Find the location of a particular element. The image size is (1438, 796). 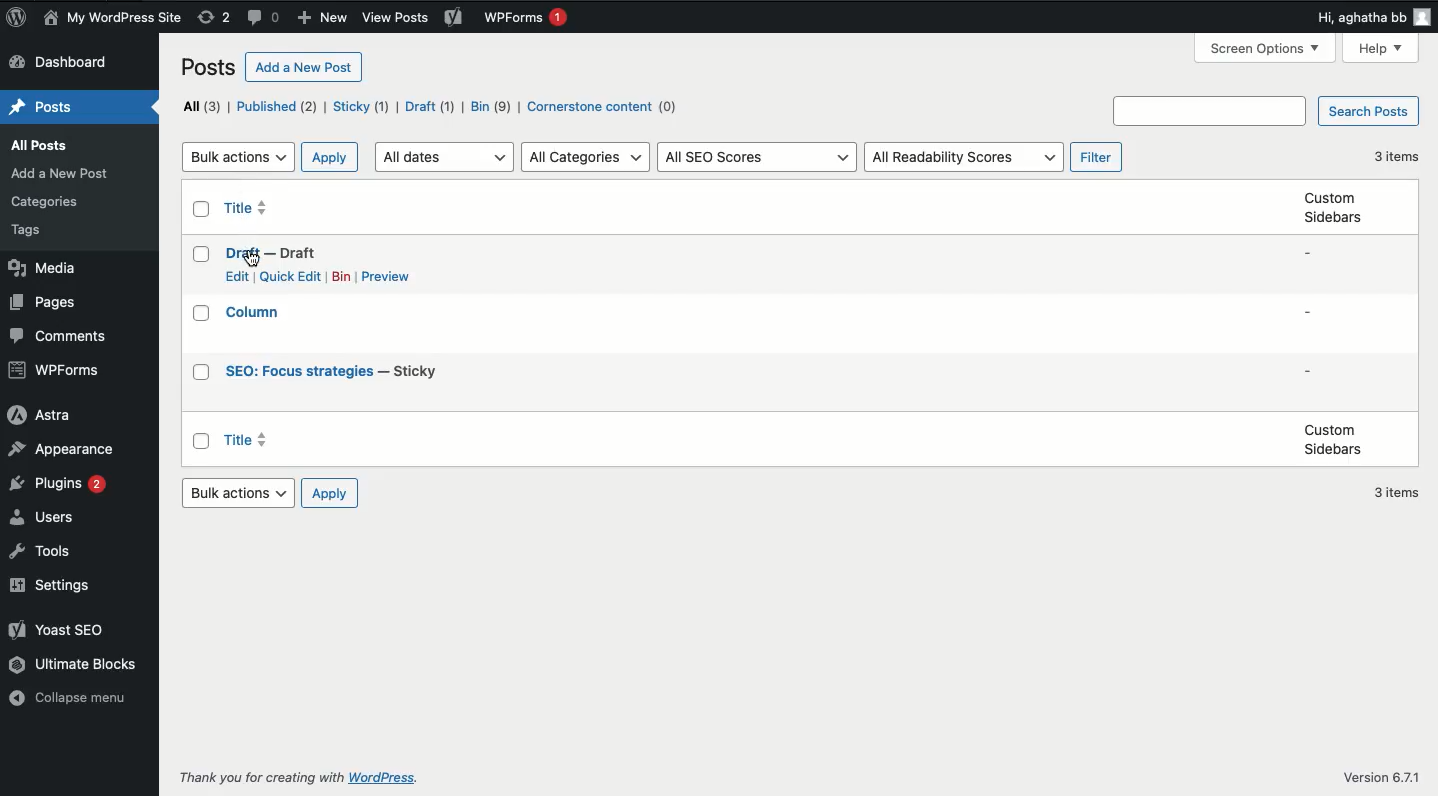

Collapse menu is located at coordinates (67, 695).